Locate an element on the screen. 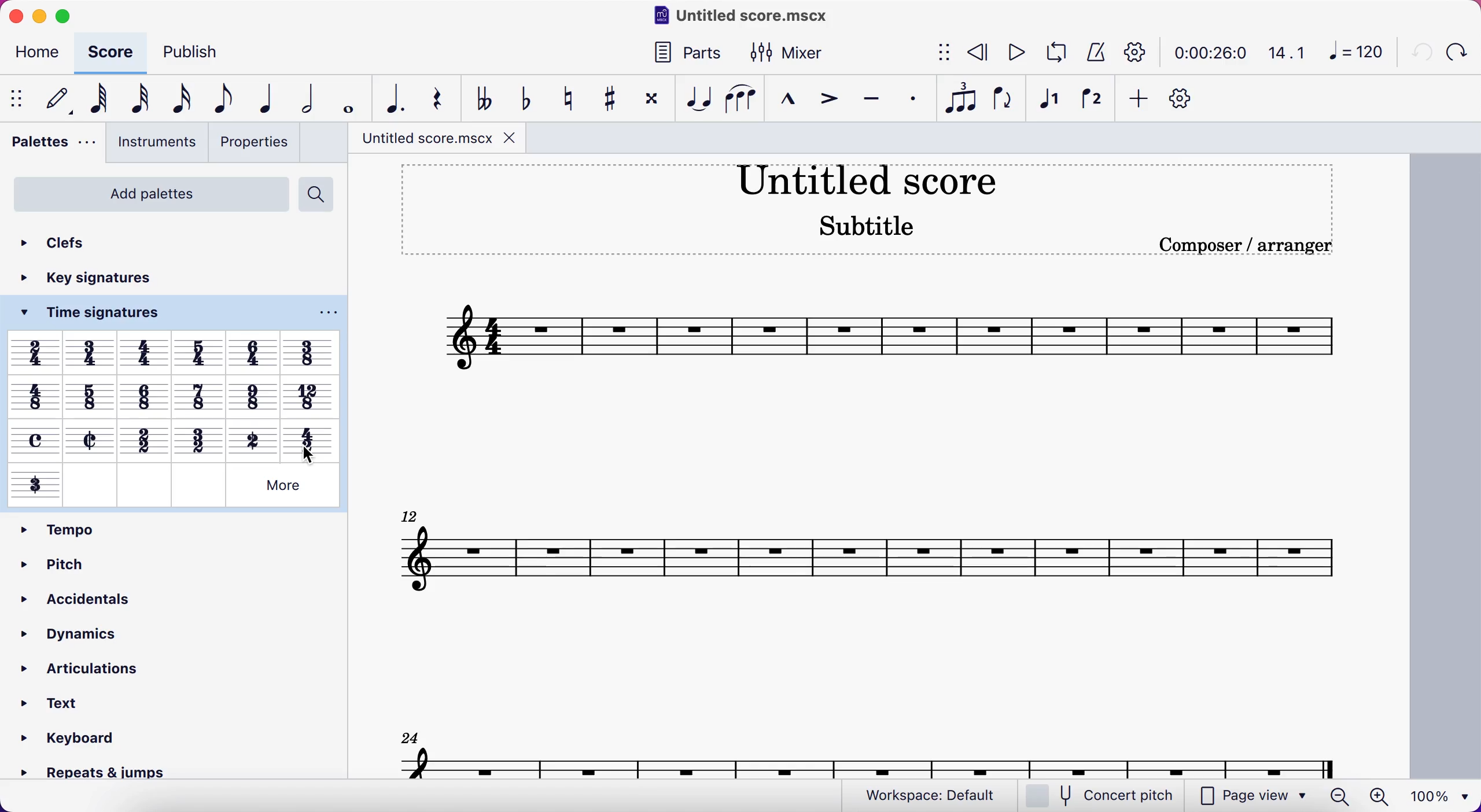 The width and height of the screenshot is (1481, 812).  is located at coordinates (197, 487).